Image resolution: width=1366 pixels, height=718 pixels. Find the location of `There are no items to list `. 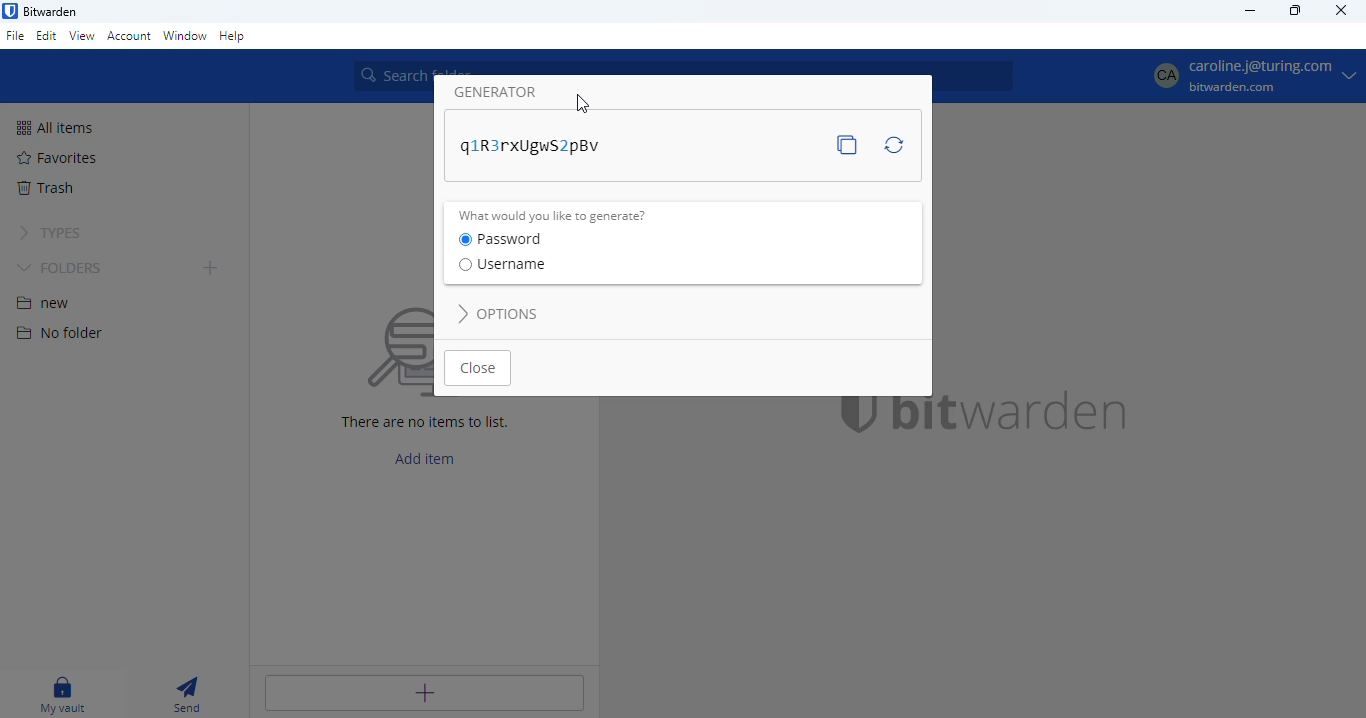

There are no items to list  is located at coordinates (432, 424).